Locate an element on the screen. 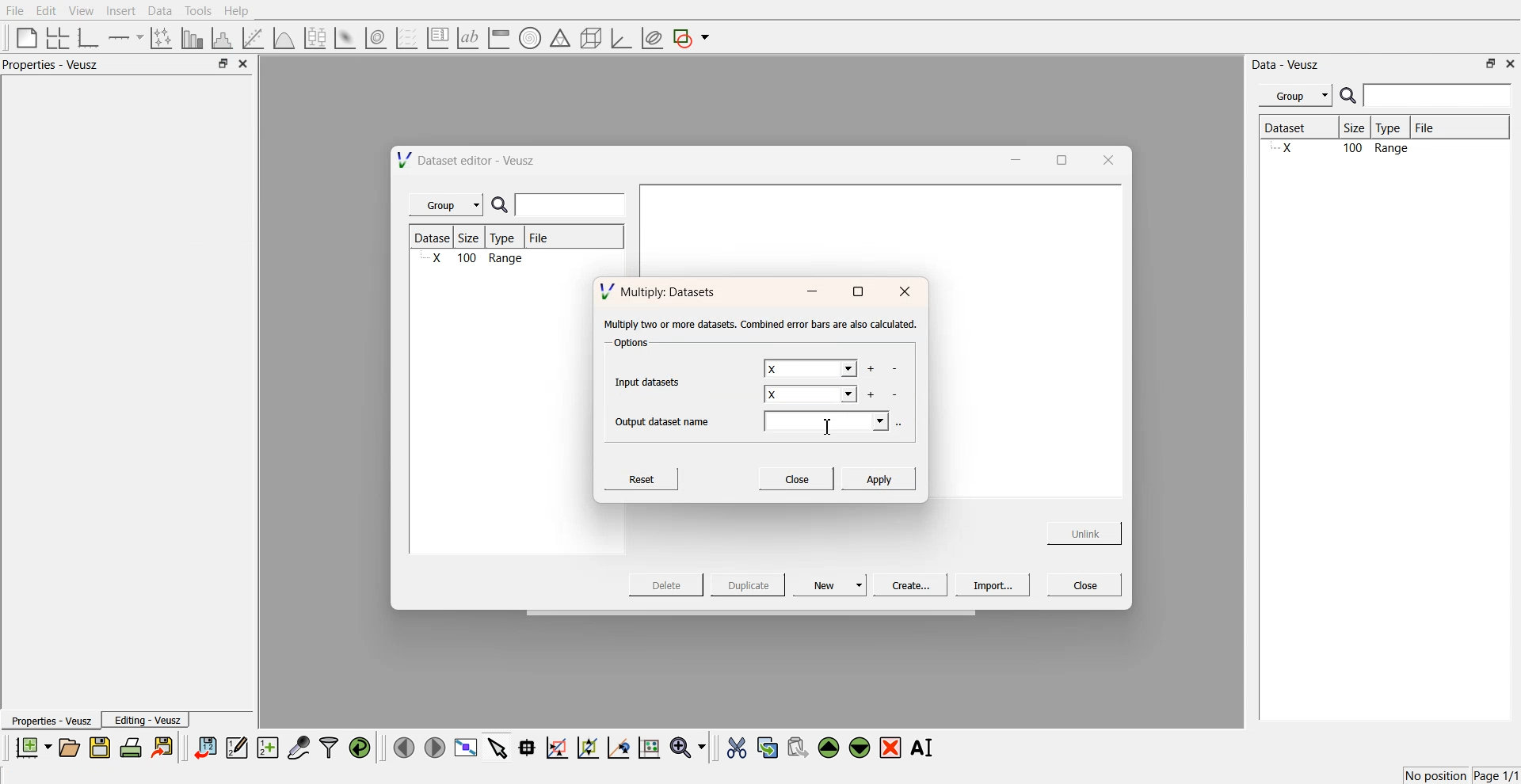 Image resolution: width=1521 pixels, height=784 pixels. Editing - Veusz is located at coordinates (147, 720).